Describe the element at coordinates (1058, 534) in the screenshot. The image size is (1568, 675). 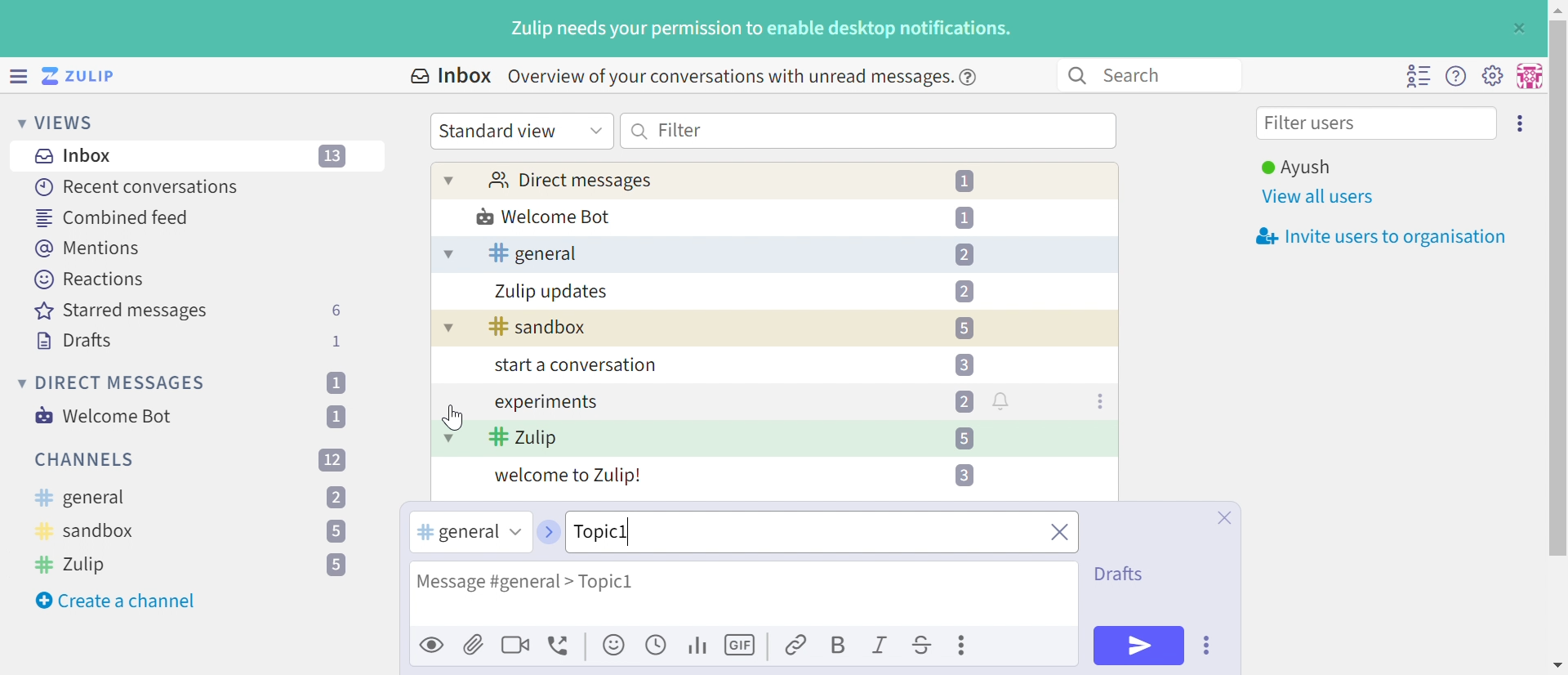
I see `close` at that location.